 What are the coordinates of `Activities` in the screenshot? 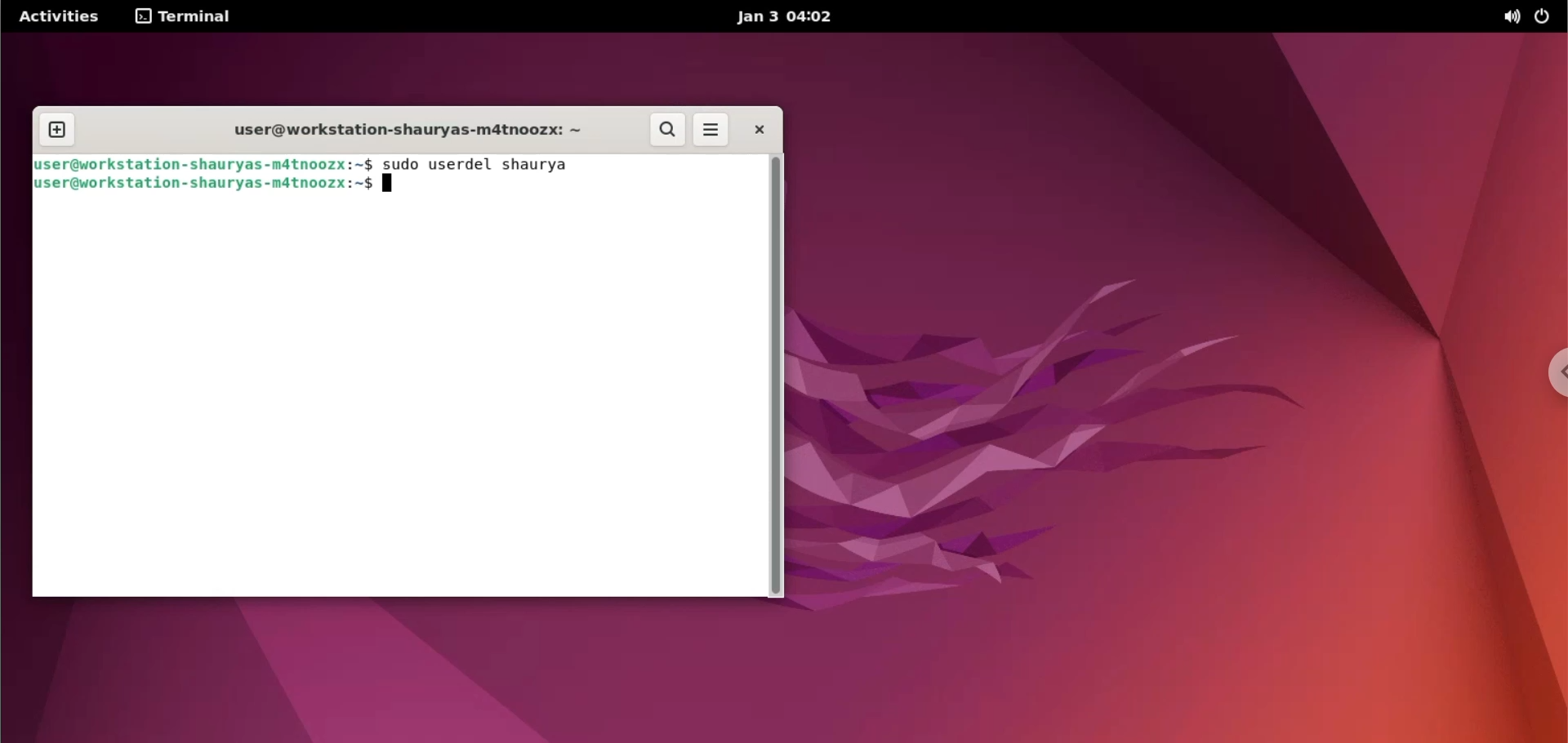 It's located at (57, 17).